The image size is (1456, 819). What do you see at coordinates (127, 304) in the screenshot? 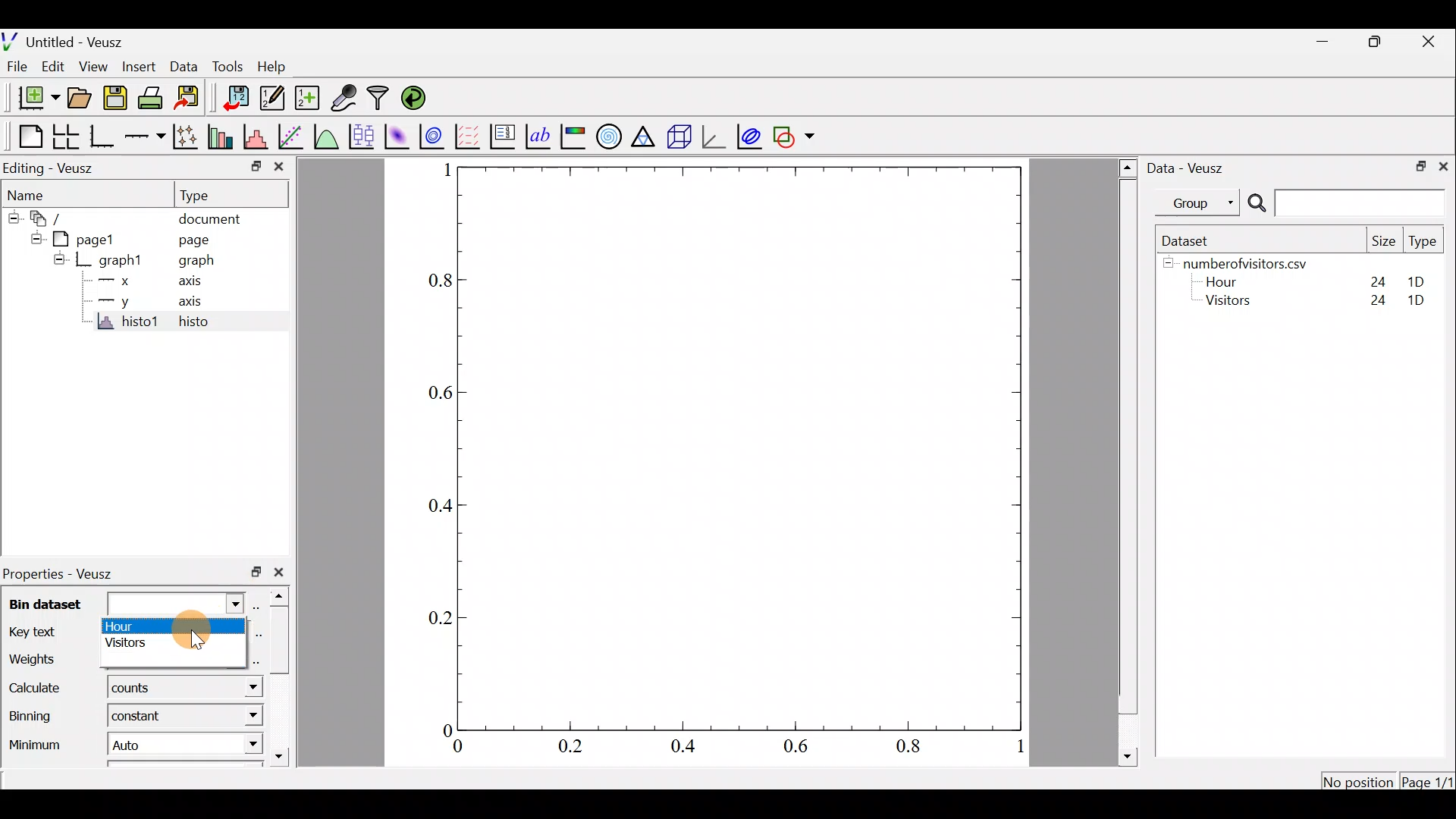
I see `y` at bounding box center [127, 304].